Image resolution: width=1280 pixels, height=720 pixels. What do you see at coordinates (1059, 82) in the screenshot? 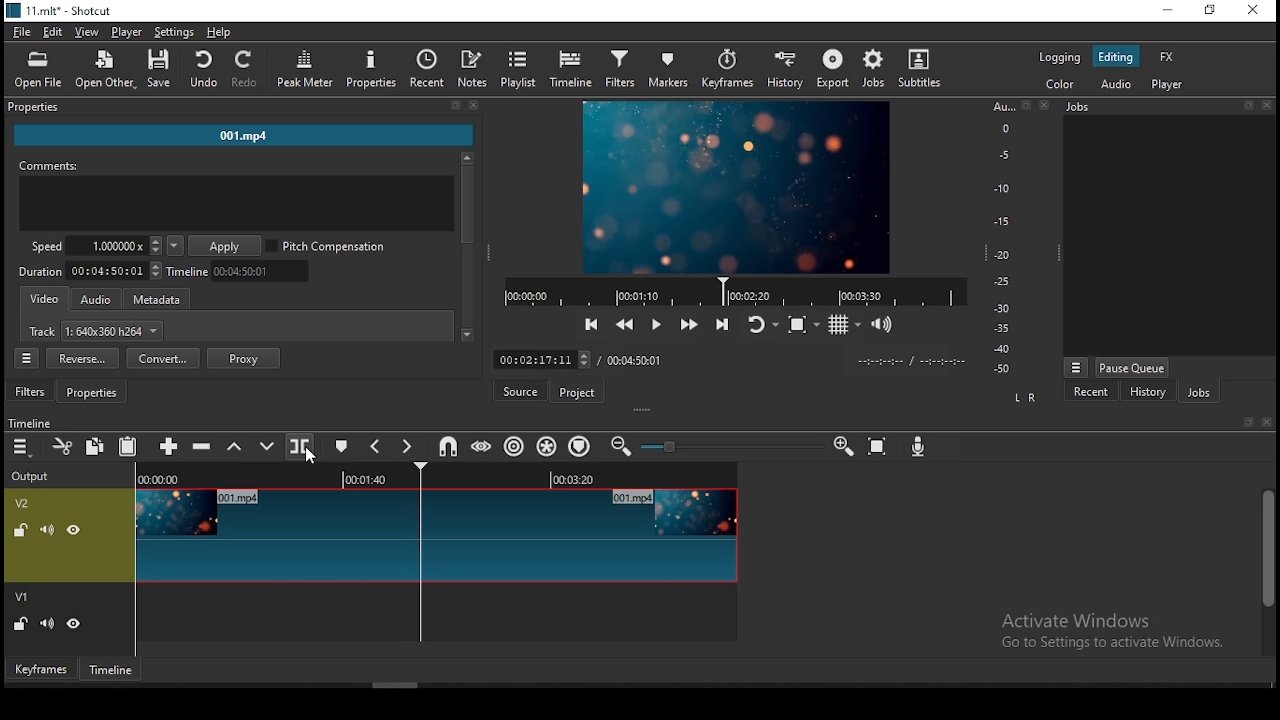
I see `color` at bounding box center [1059, 82].